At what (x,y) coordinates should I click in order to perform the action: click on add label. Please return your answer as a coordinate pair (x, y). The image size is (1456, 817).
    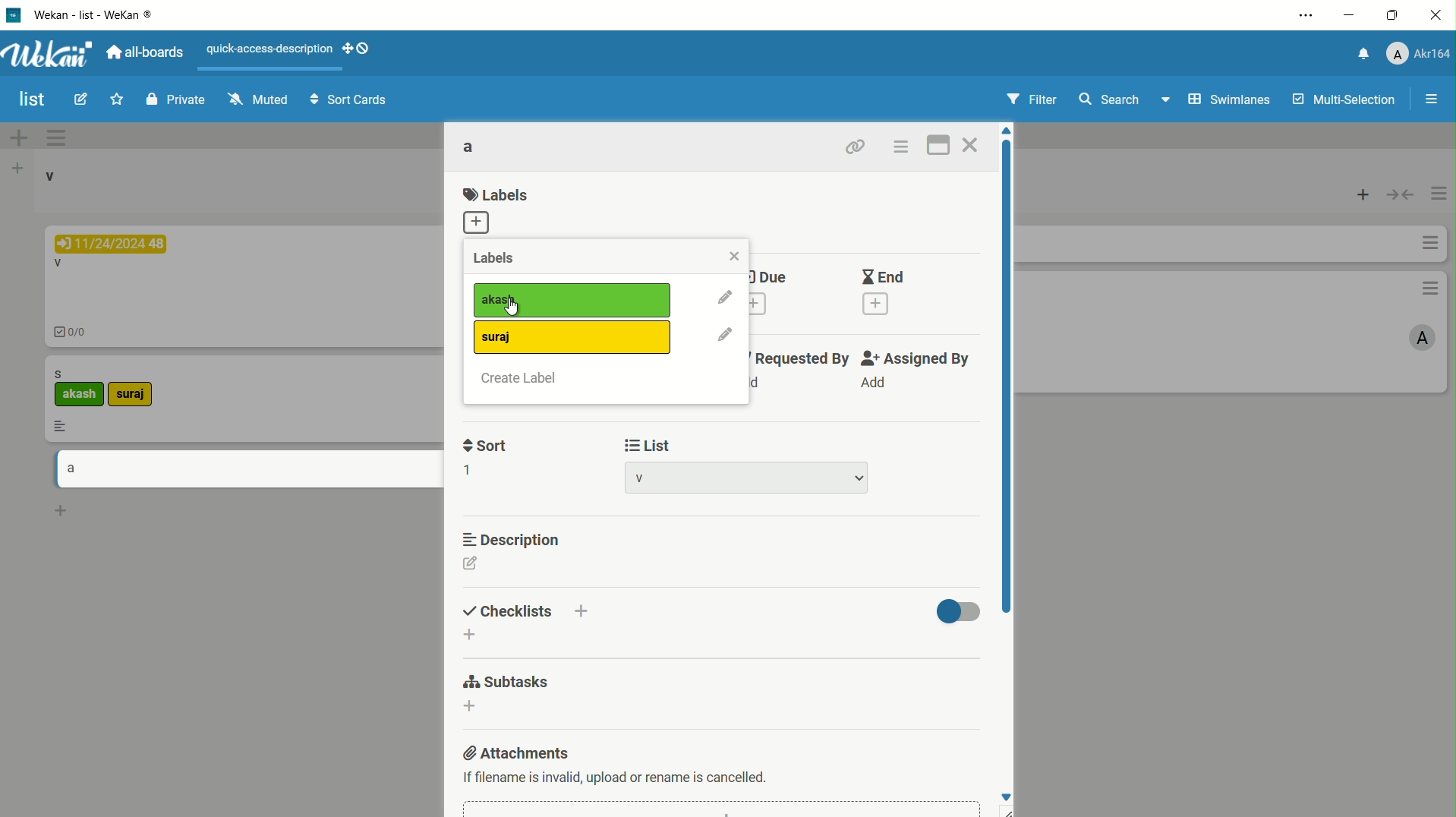
    Looking at the image, I should click on (477, 223).